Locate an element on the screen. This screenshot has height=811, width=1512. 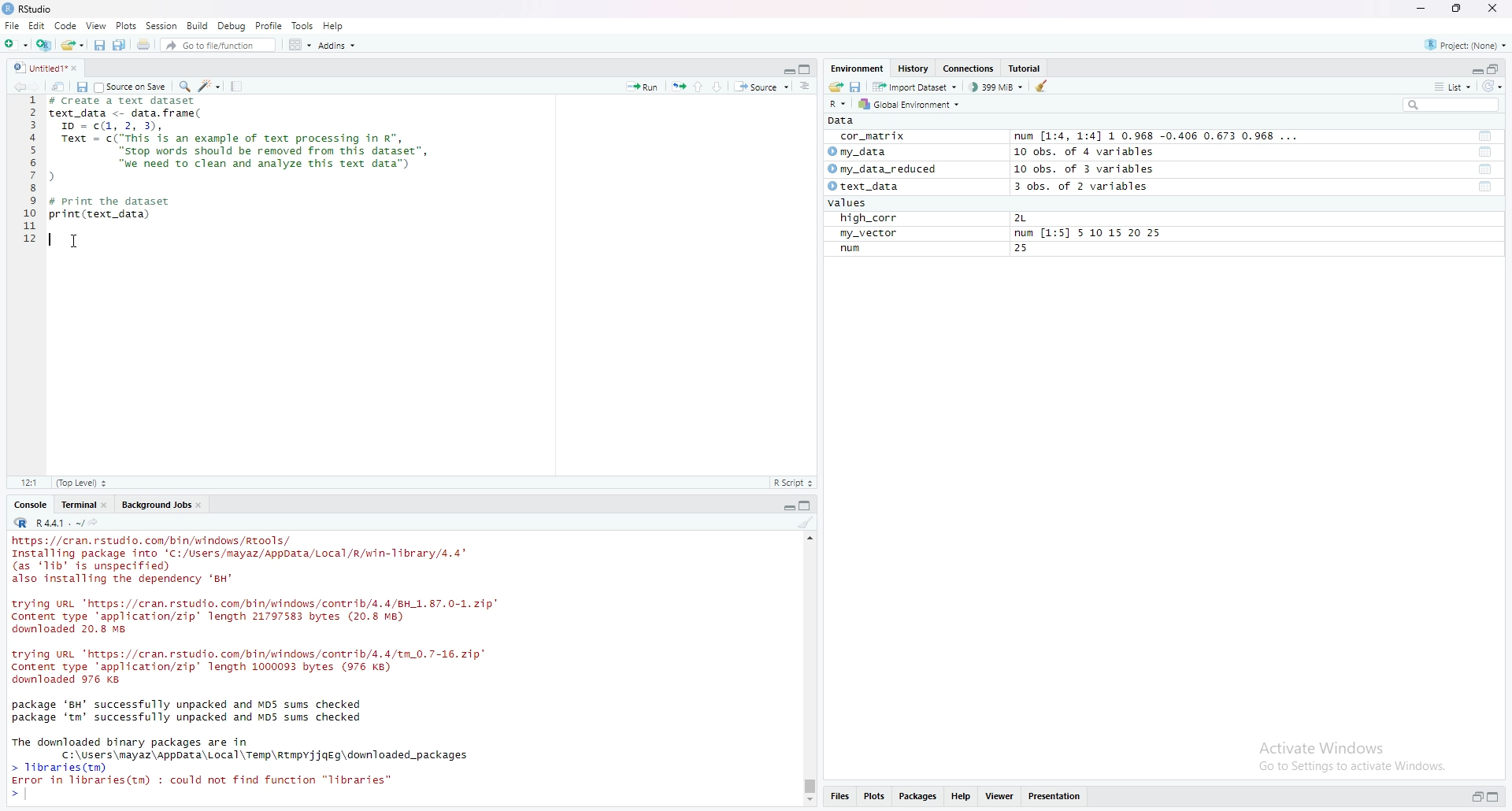
expand is located at coordinates (1475, 796).